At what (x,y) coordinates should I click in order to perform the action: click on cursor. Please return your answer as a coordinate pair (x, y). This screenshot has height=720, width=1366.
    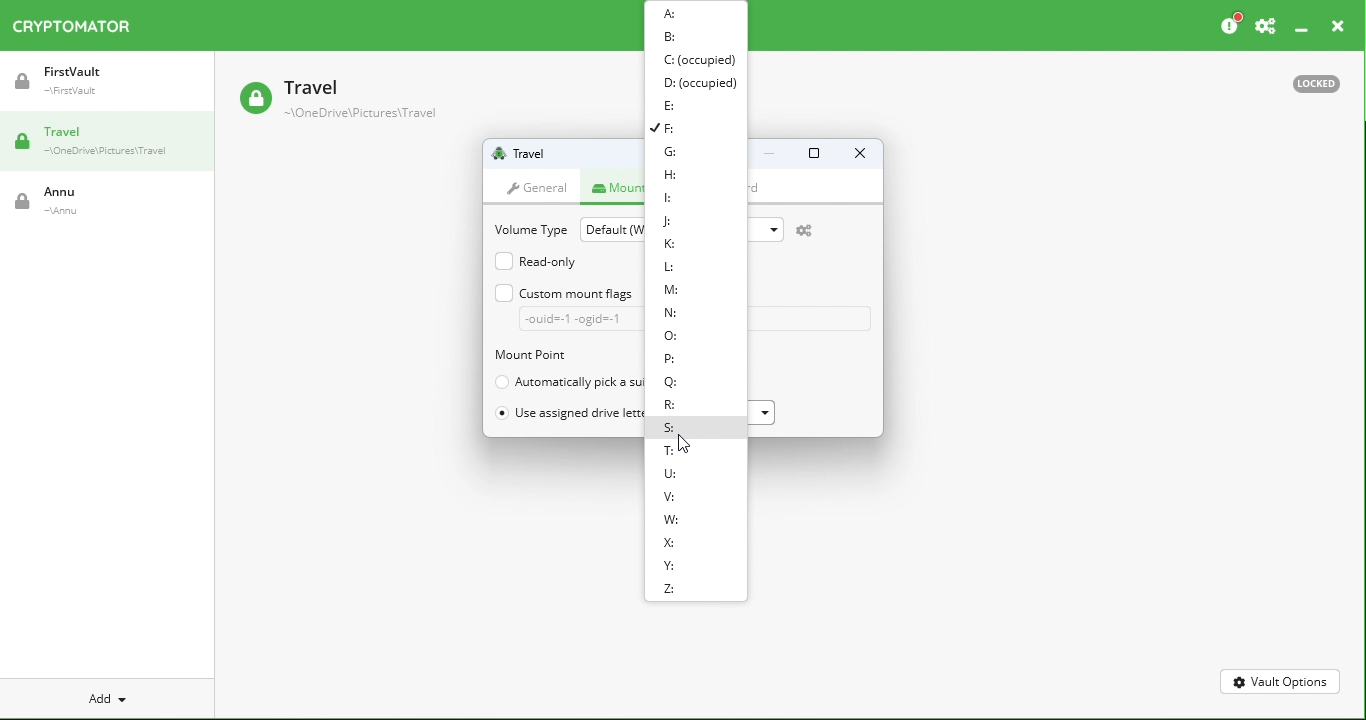
    Looking at the image, I should click on (690, 442).